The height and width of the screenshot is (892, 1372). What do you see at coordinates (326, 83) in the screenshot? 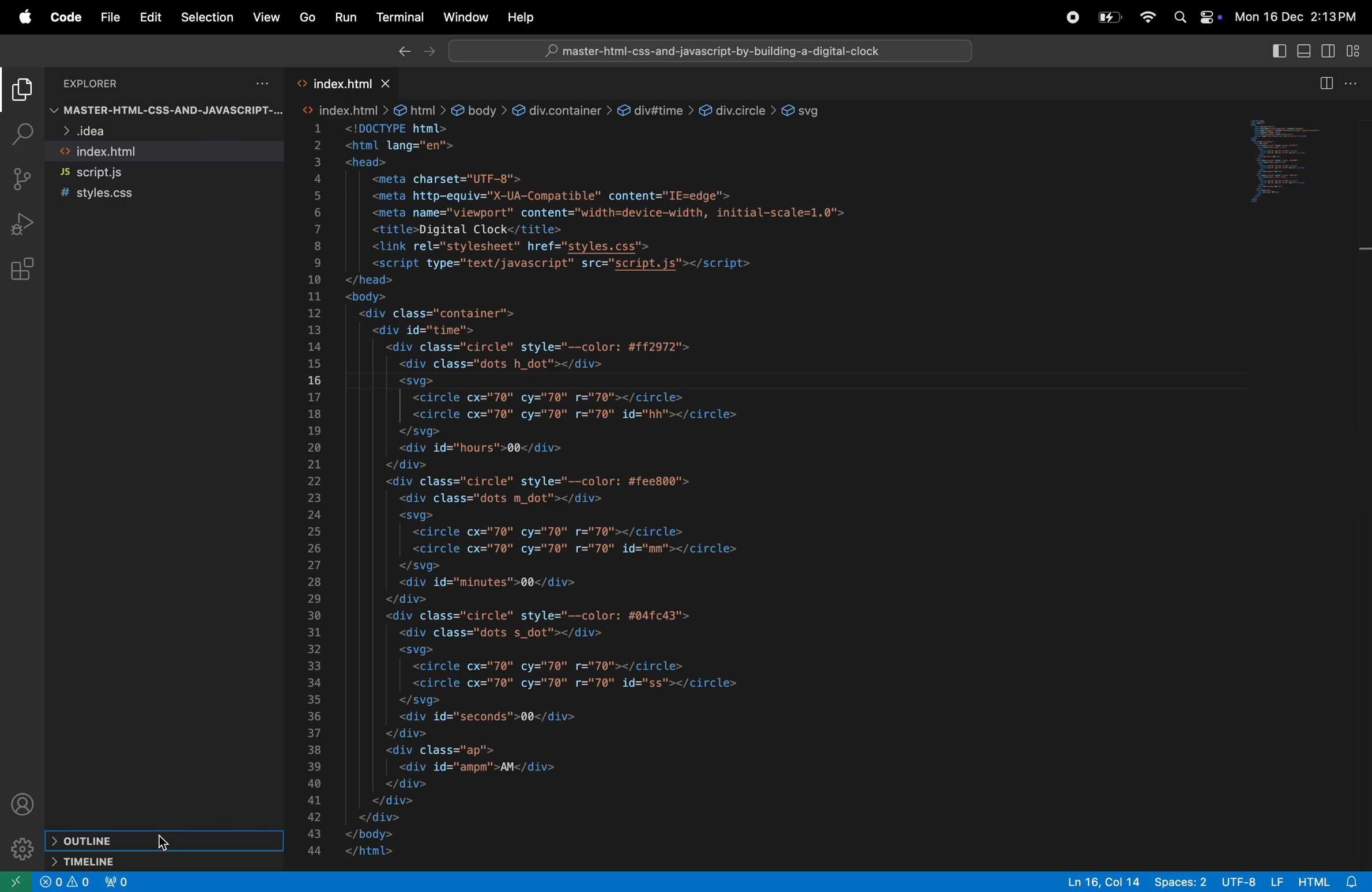
I see `index.html tab` at bounding box center [326, 83].